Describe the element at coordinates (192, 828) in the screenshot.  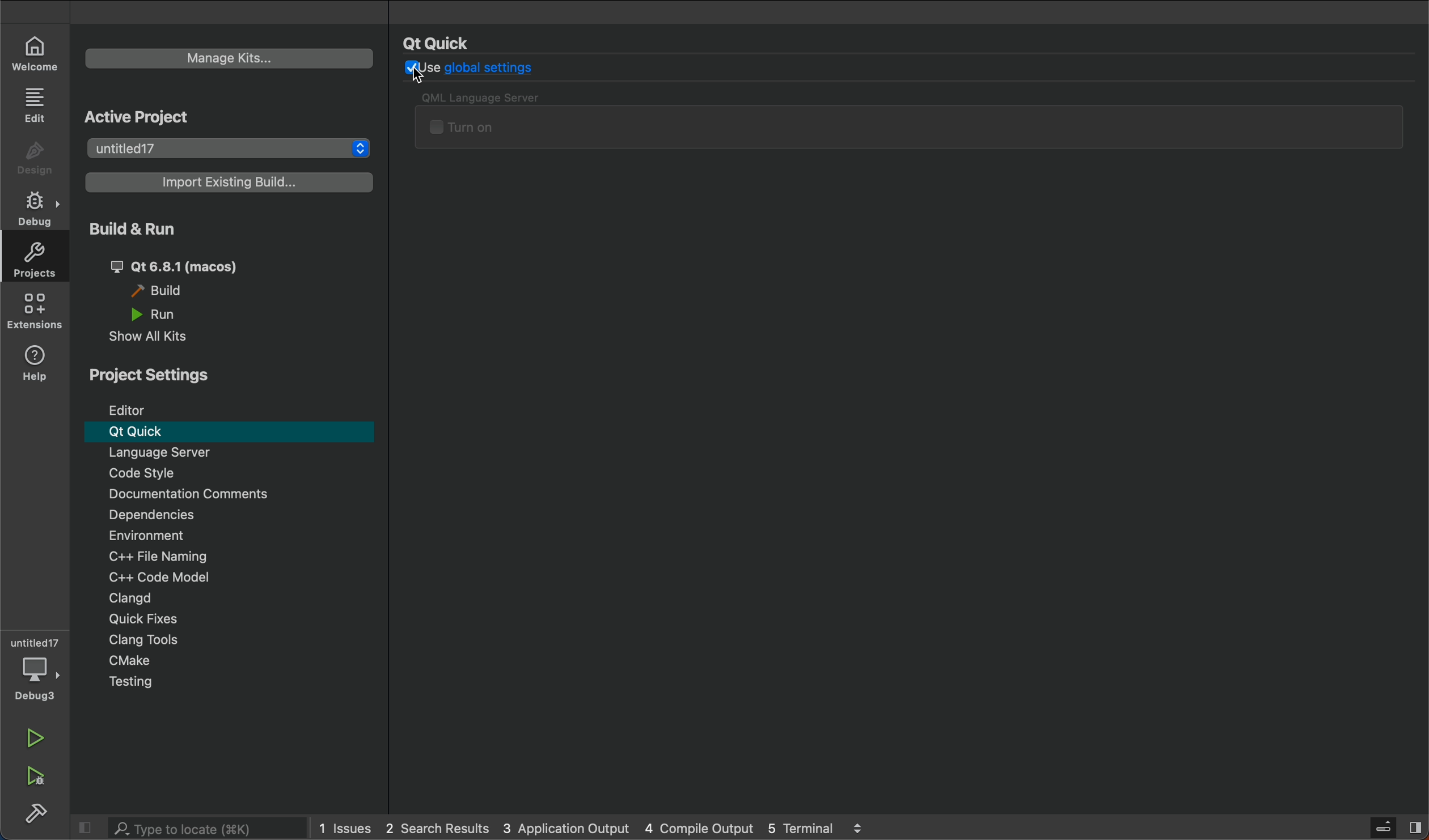
I see `search` at that location.